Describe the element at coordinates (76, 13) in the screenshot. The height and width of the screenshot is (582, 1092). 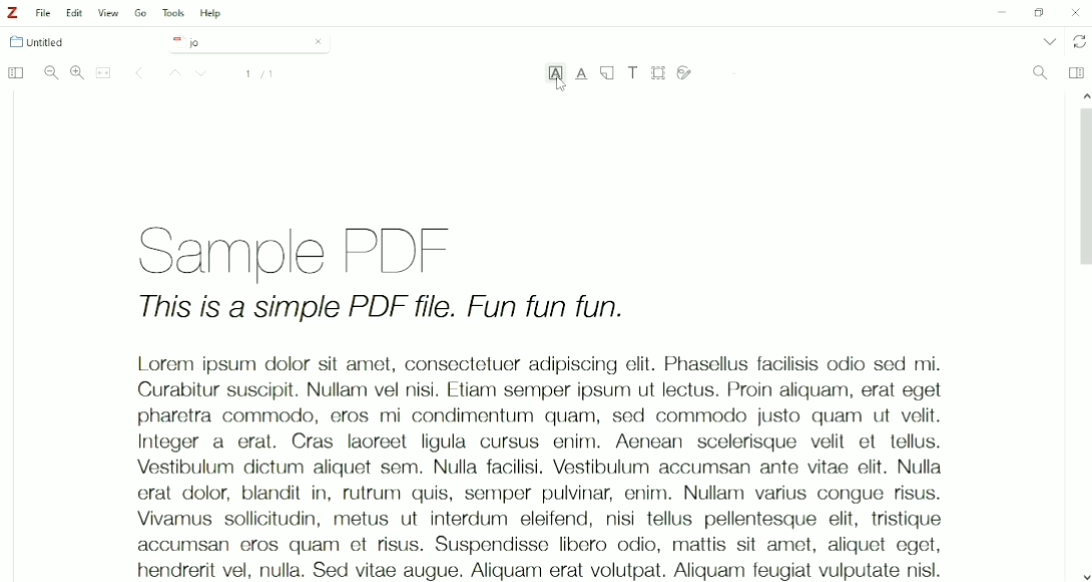
I see `Edit` at that location.